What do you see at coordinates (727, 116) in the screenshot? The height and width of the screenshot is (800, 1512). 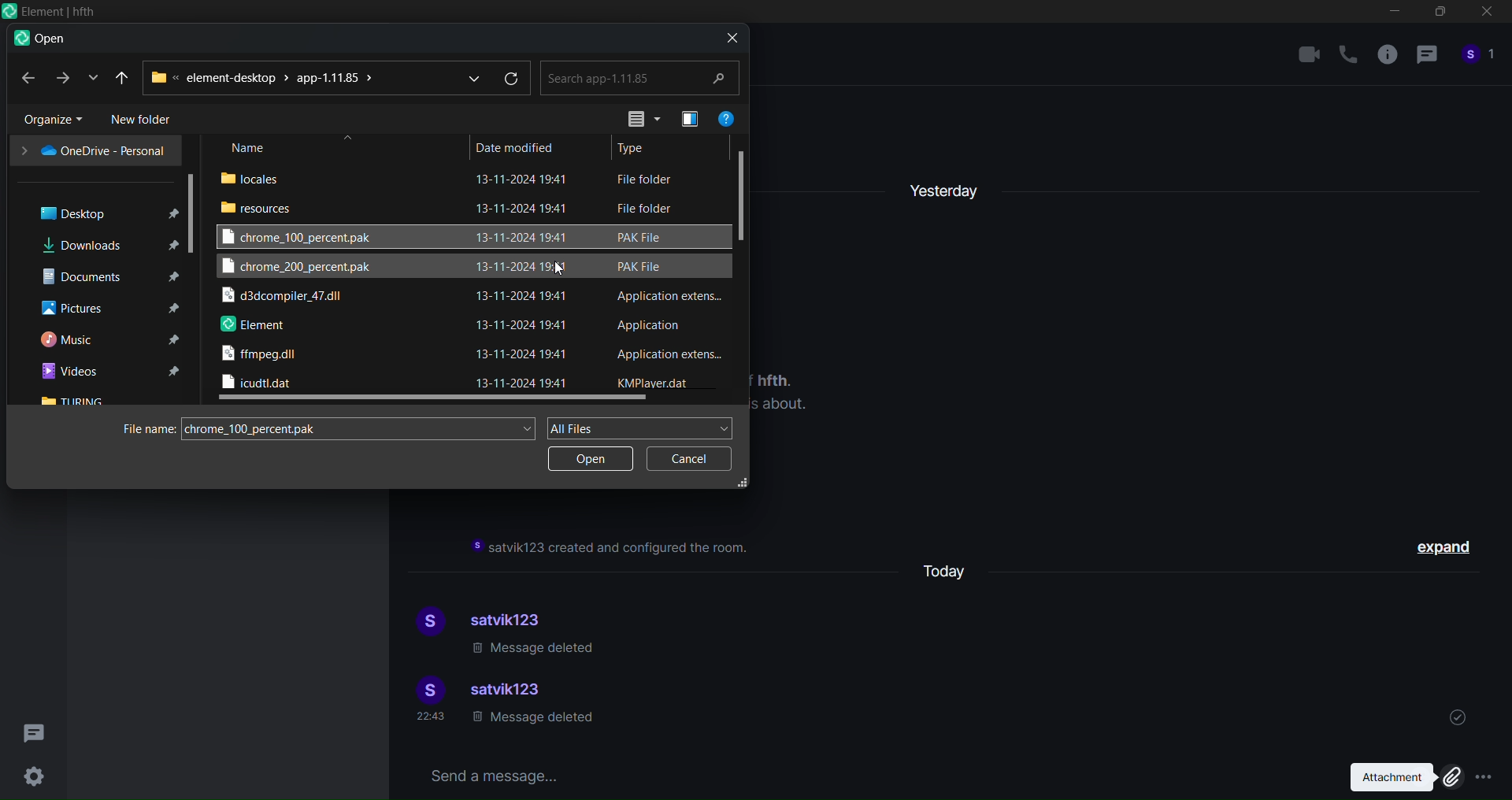 I see `help` at bounding box center [727, 116].